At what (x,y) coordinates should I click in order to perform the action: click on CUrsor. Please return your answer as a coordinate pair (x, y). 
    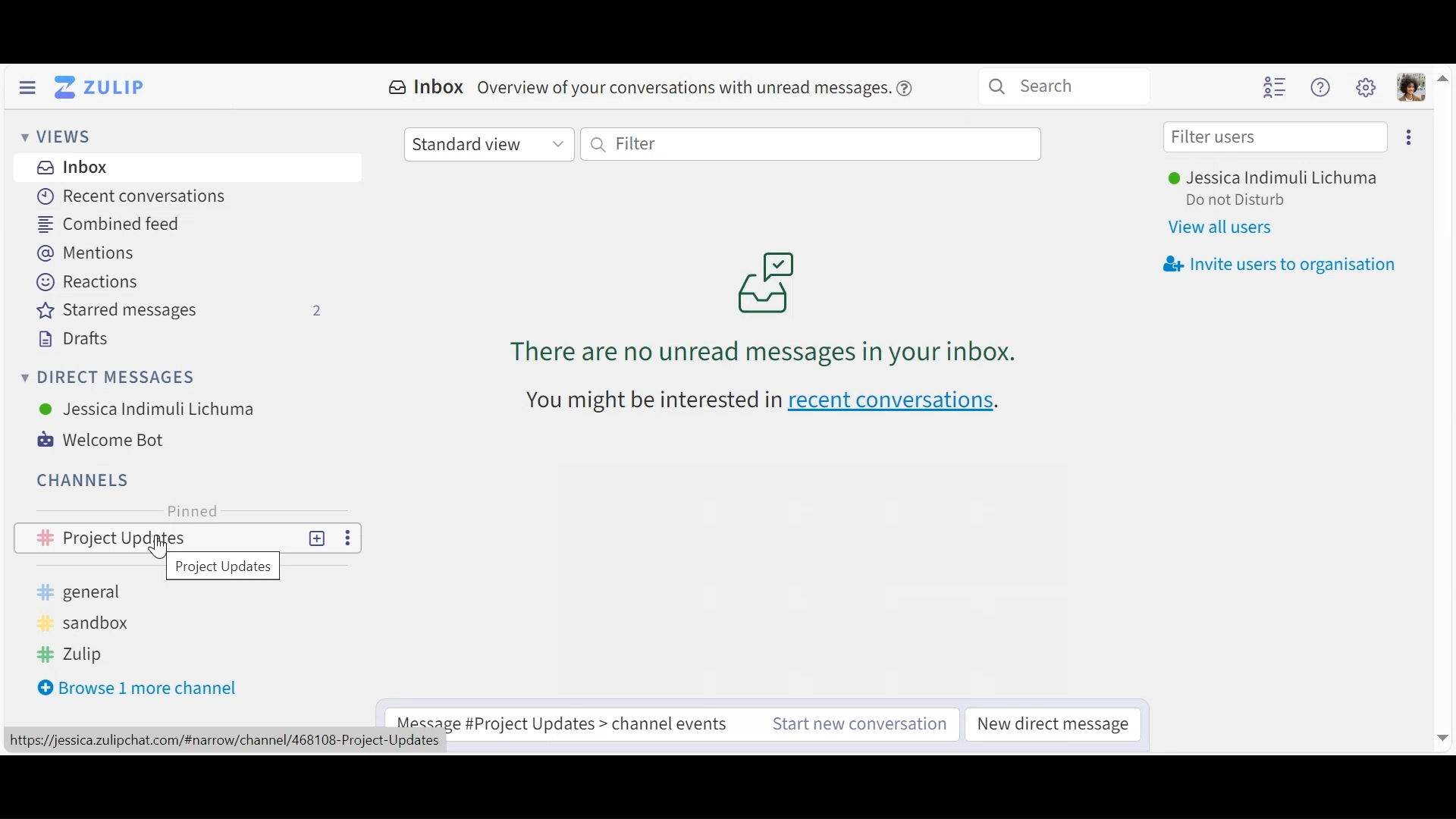
    Looking at the image, I should click on (155, 551).